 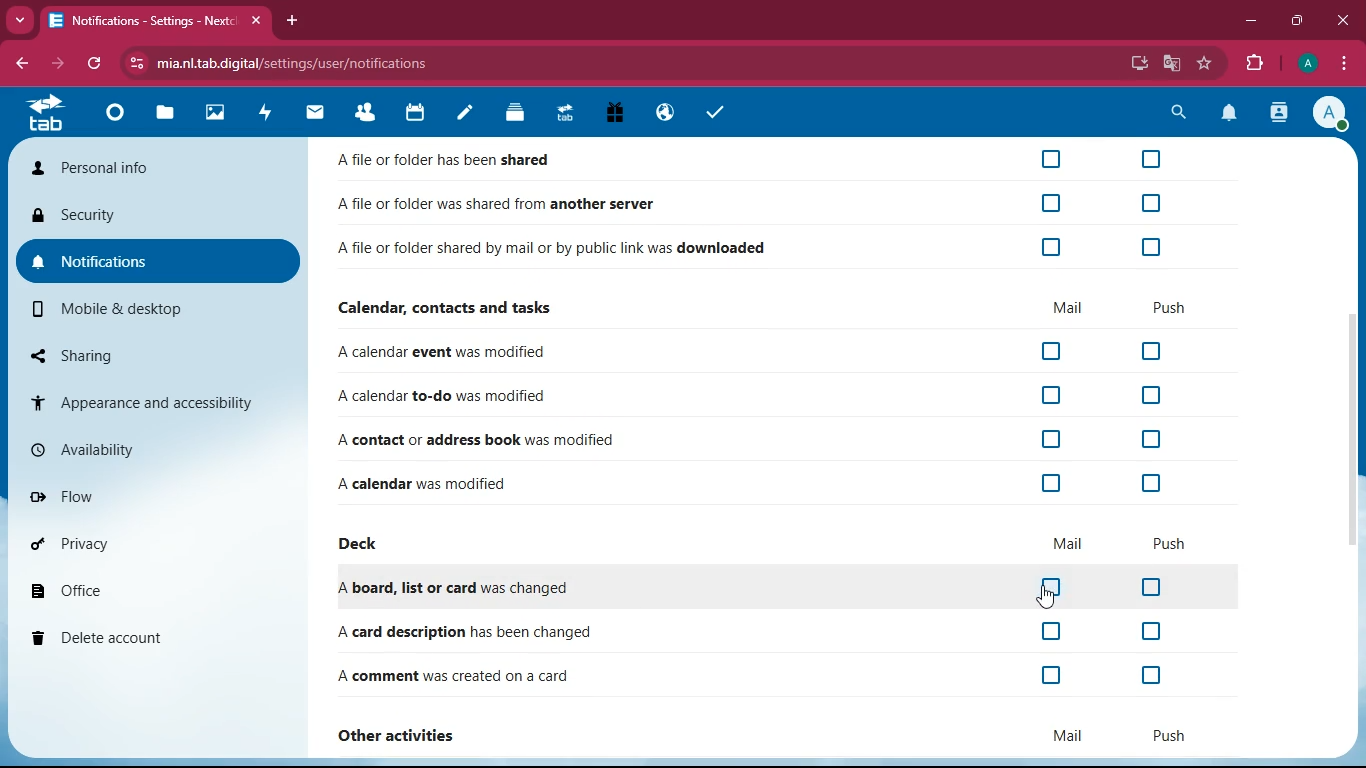 I want to click on images, so click(x=219, y=115).